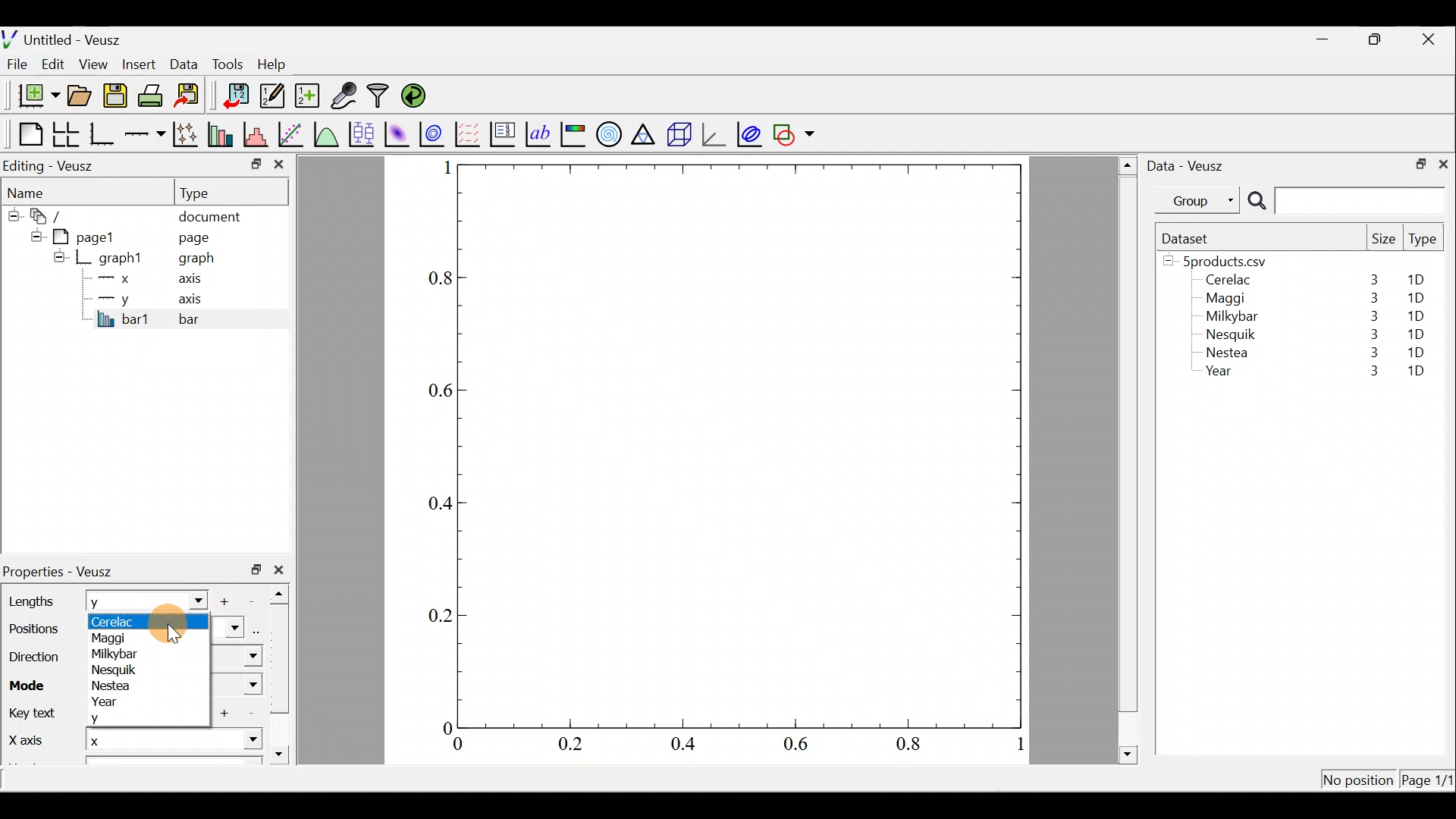 The image size is (1456, 819). What do you see at coordinates (435, 133) in the screenshot?
I see `Plot a 2d dataset as contours` at bounding box center [435, 133].